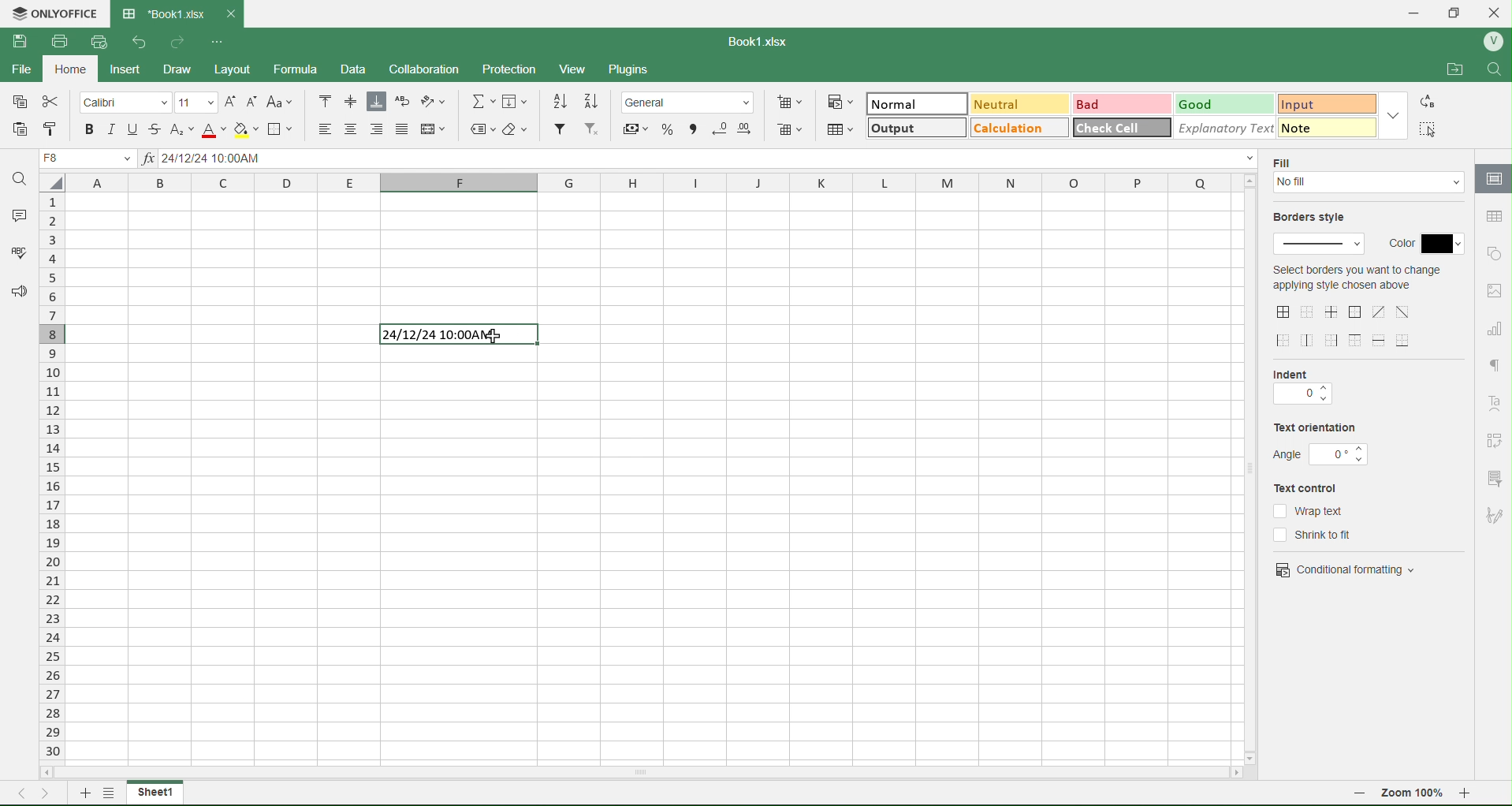 Image resolution: width=1512 pixels, height=806 pixels. Describe the element at coordinates (1316, 429) in the screenshot. I see `text orientation` at that location.